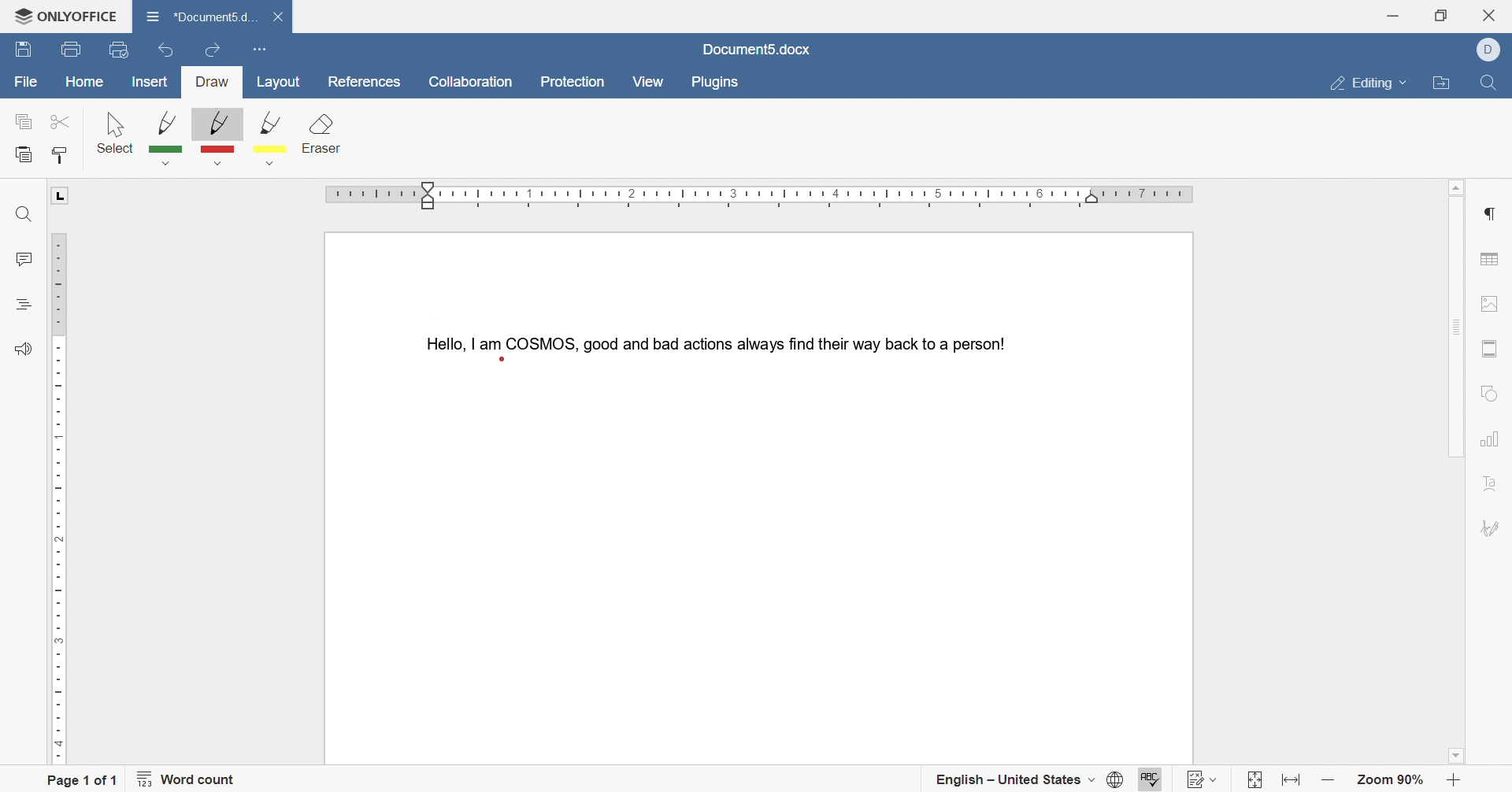 This screenshot has width=1512, height=792. What do you see at coordinates (1497, 302) in the screenshot?
I see `image settings` at bounding box center [1497, 302].